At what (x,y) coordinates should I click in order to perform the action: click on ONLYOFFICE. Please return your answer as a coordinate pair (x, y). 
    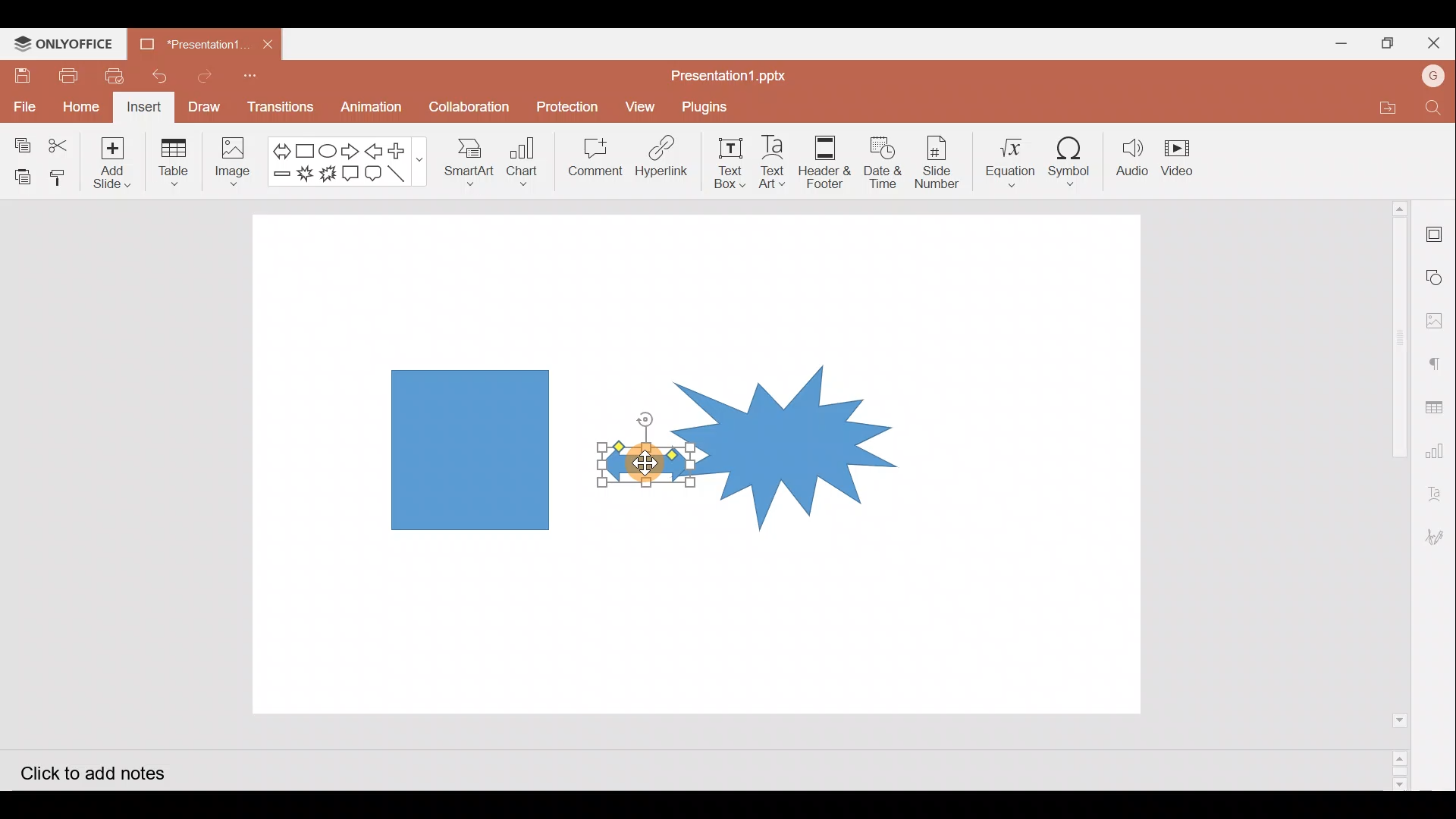
    Looking at the image, I should click on (63, 44).